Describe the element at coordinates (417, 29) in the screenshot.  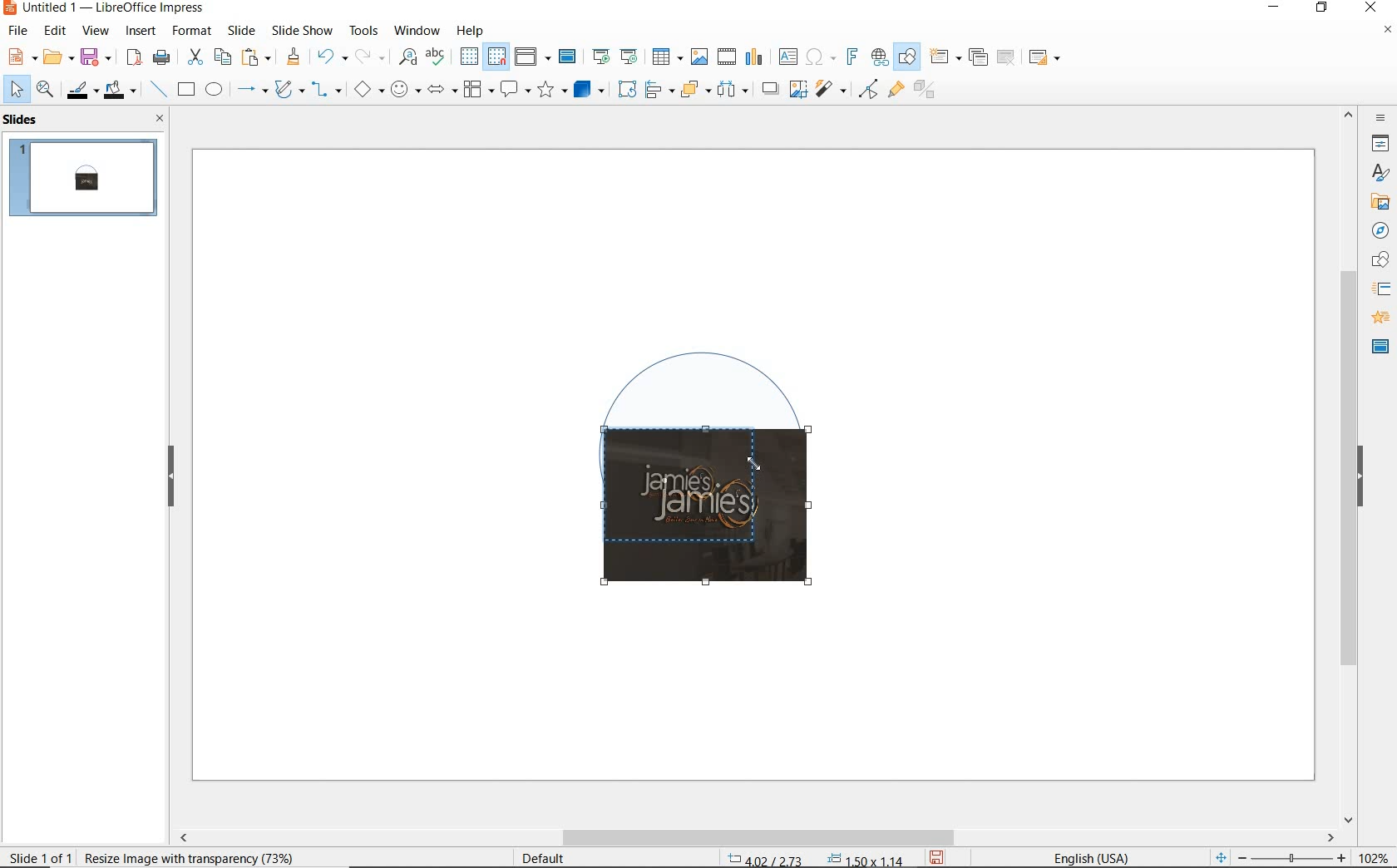
I see `window` at that location.